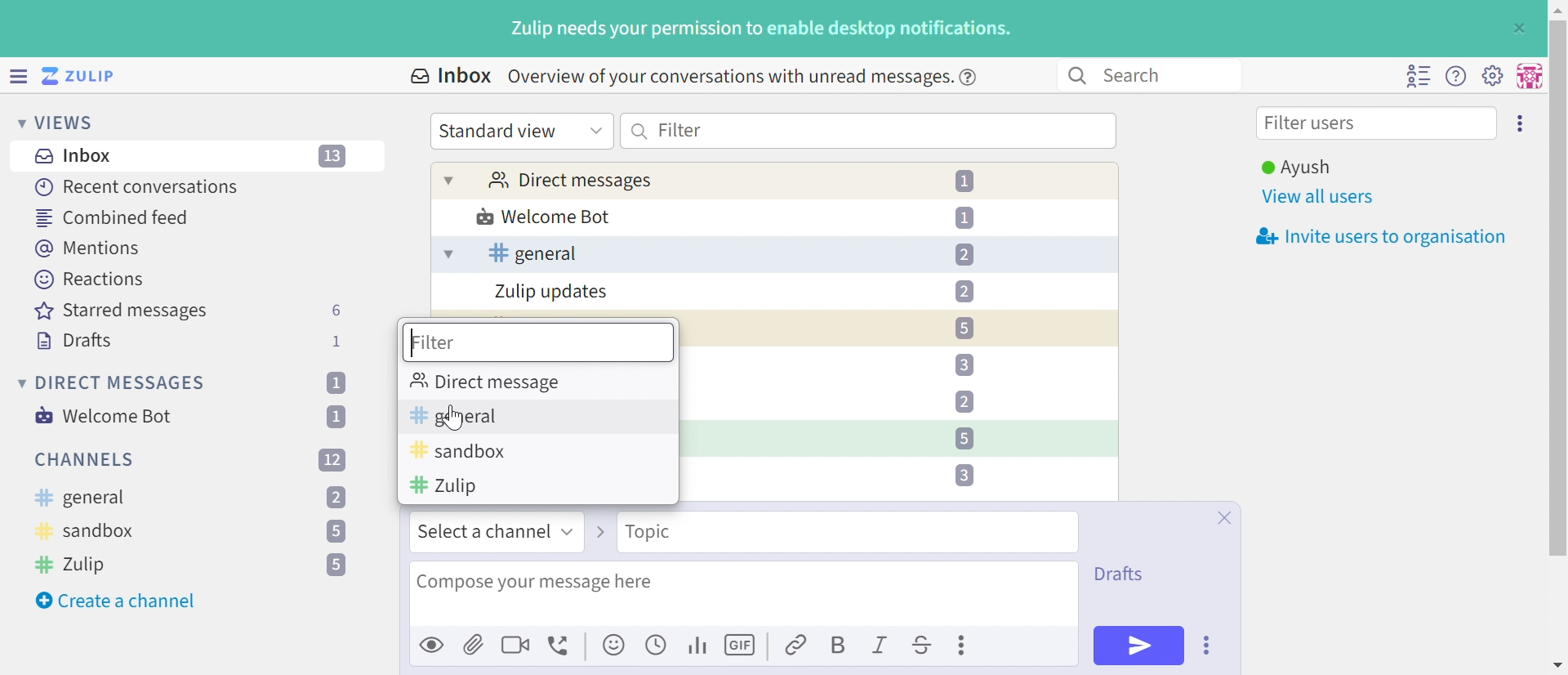 The width and height of the screenshot is (1568, 675). What do you see at coordinates (1558, 288) in the screenshot?
I see `vertical scrollbar` at bounding box center [1558, 288].